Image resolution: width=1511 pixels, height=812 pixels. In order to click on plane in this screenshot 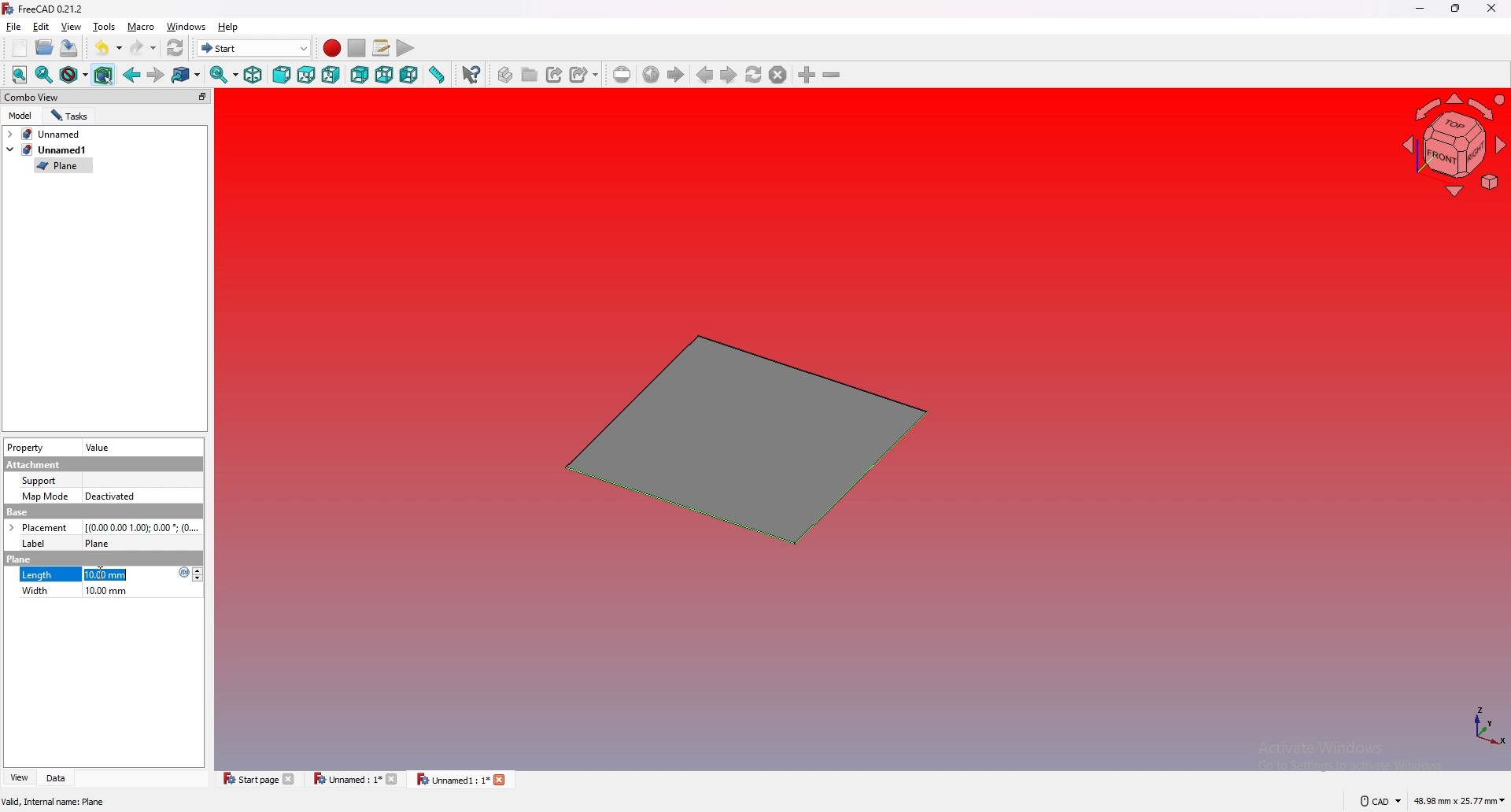, I will do `click(740, 440)`.